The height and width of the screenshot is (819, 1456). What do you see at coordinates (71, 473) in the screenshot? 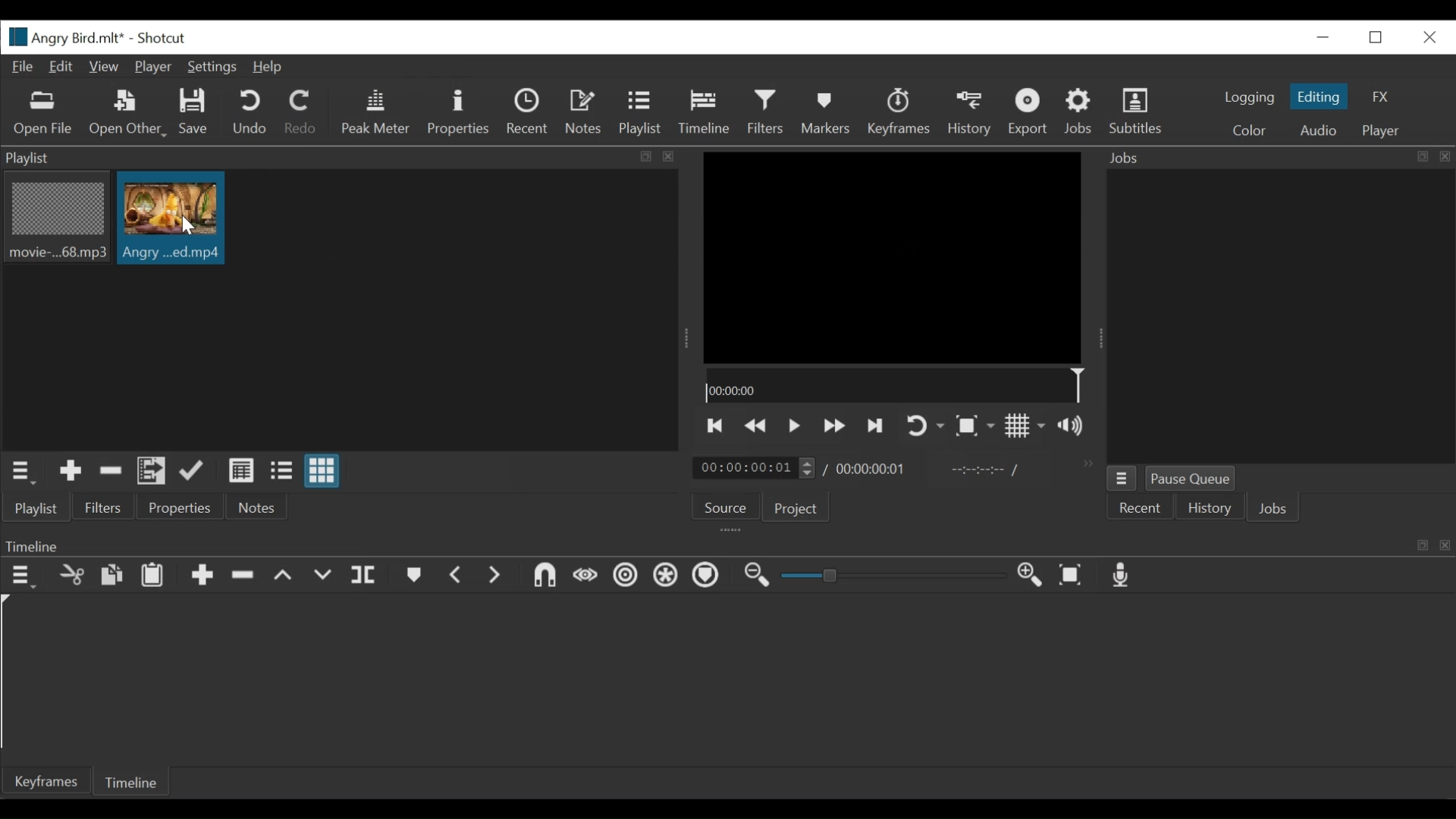
I see `Add the Source to the playlist` at bounding box center [71, 473].